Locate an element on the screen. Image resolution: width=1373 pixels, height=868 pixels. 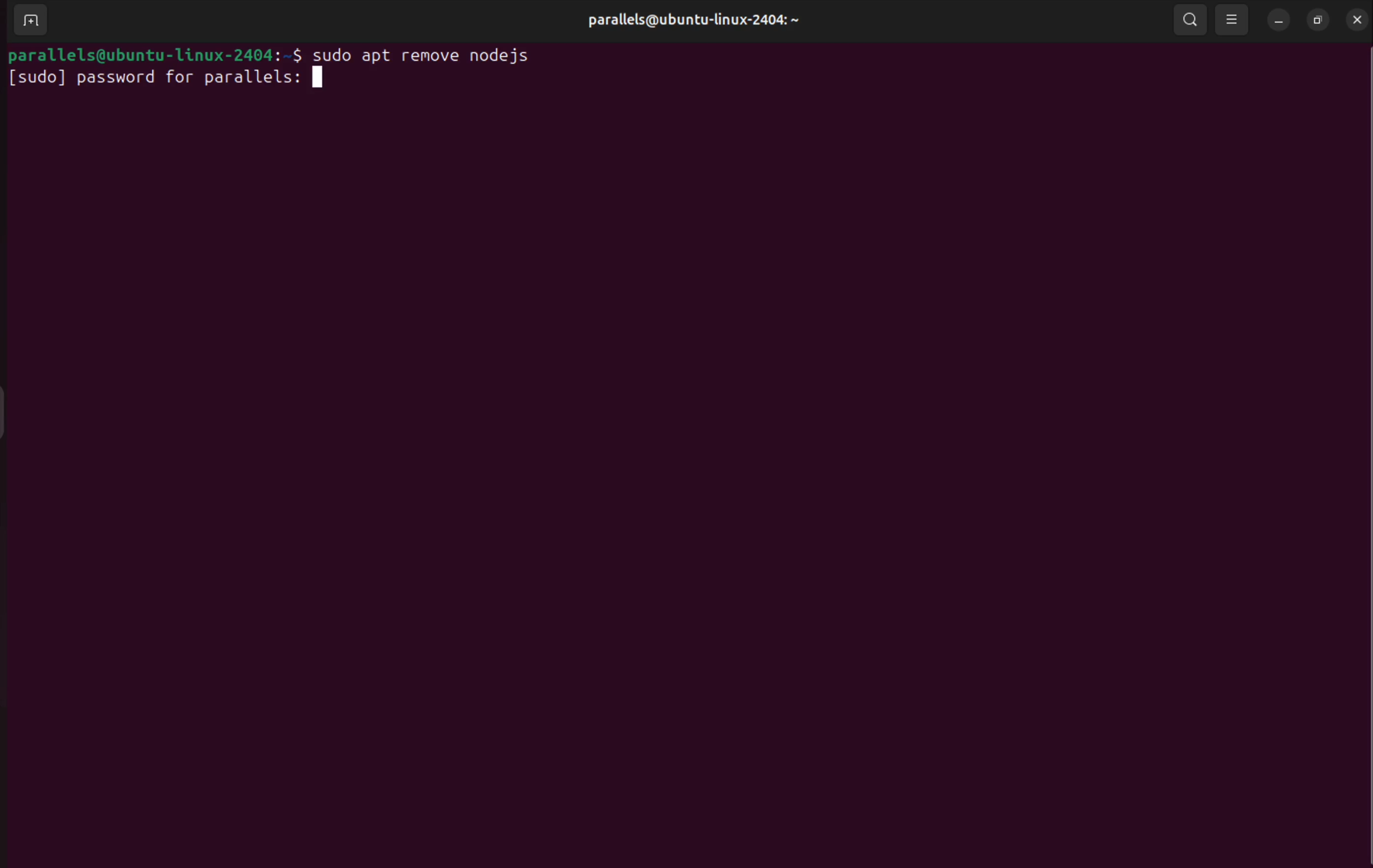
close is located at coordinates (1355, 19).